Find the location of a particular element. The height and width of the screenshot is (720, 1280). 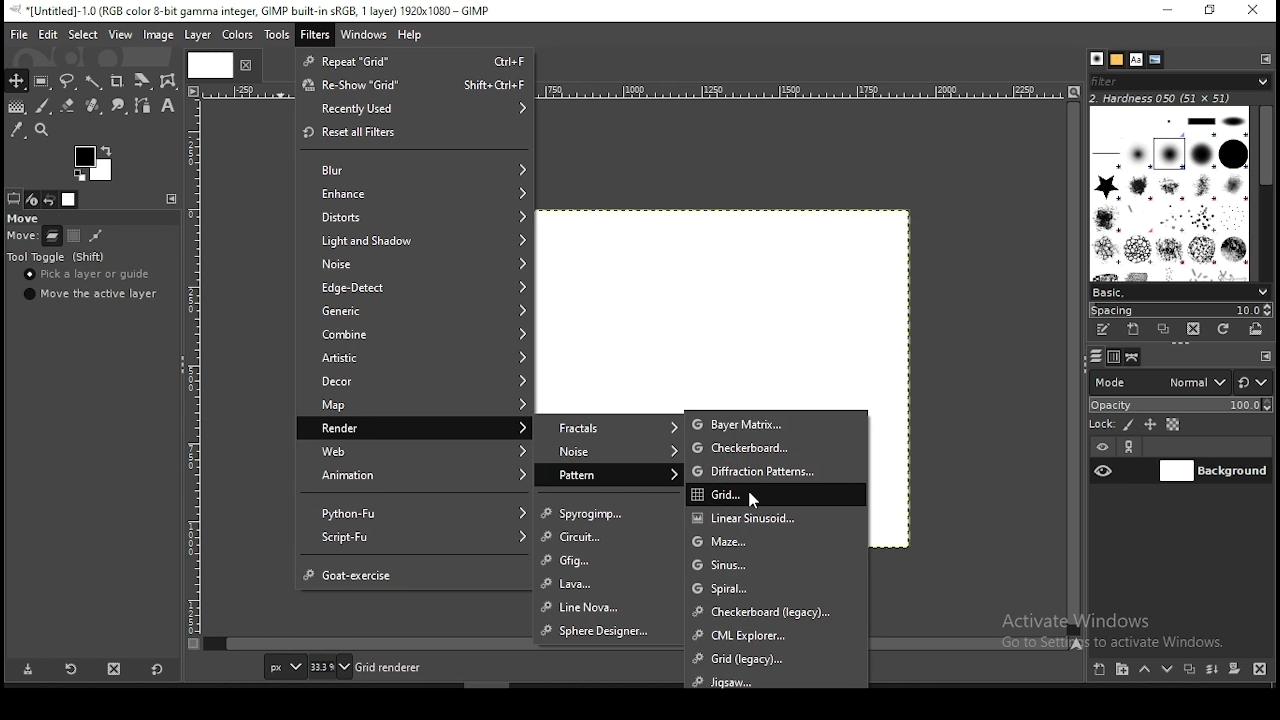

save tool preset is located at coordinates (27, 670).